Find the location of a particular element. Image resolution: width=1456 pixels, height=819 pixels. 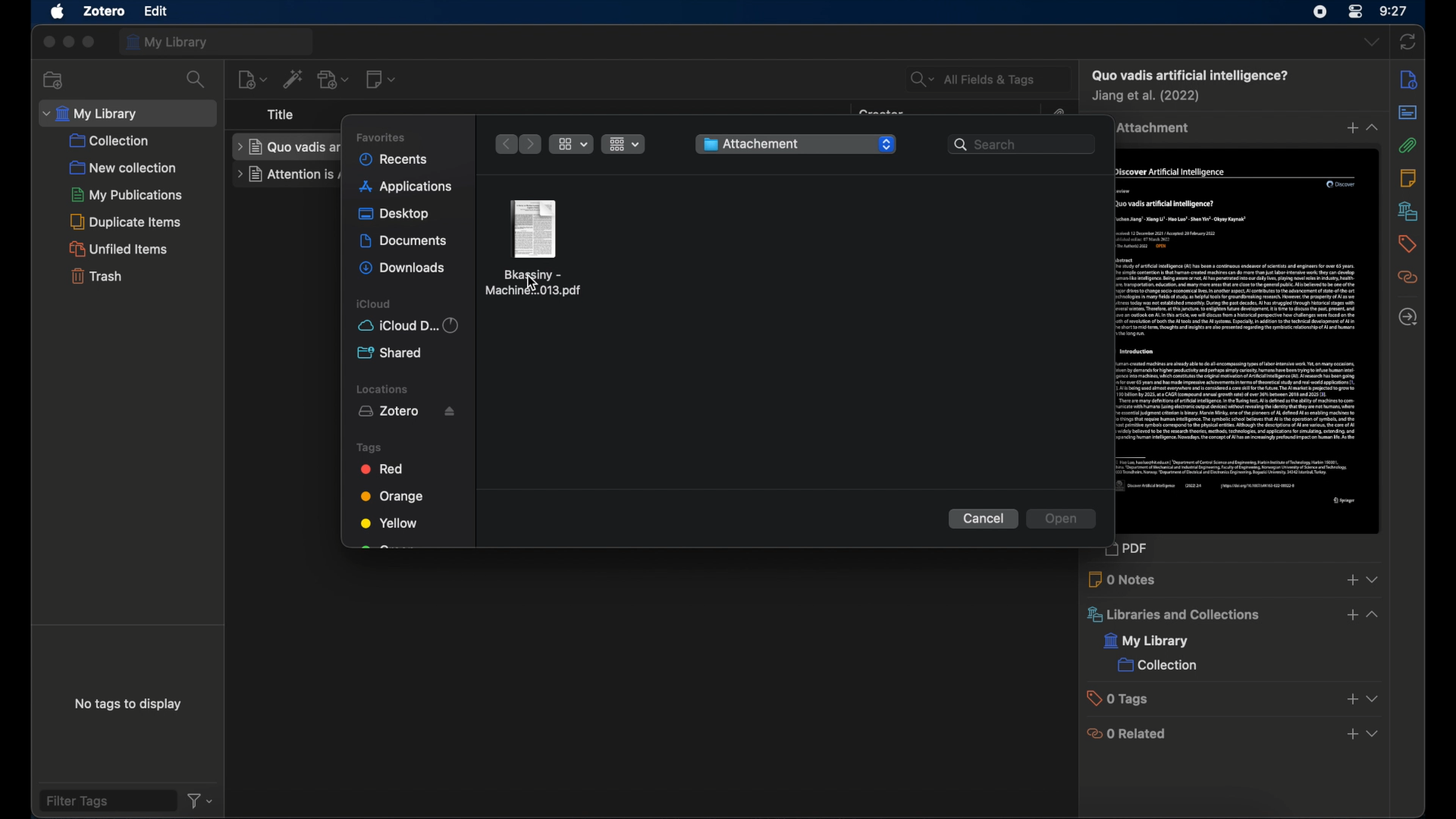

dropdown menu is located at coordinates (1371, 42).